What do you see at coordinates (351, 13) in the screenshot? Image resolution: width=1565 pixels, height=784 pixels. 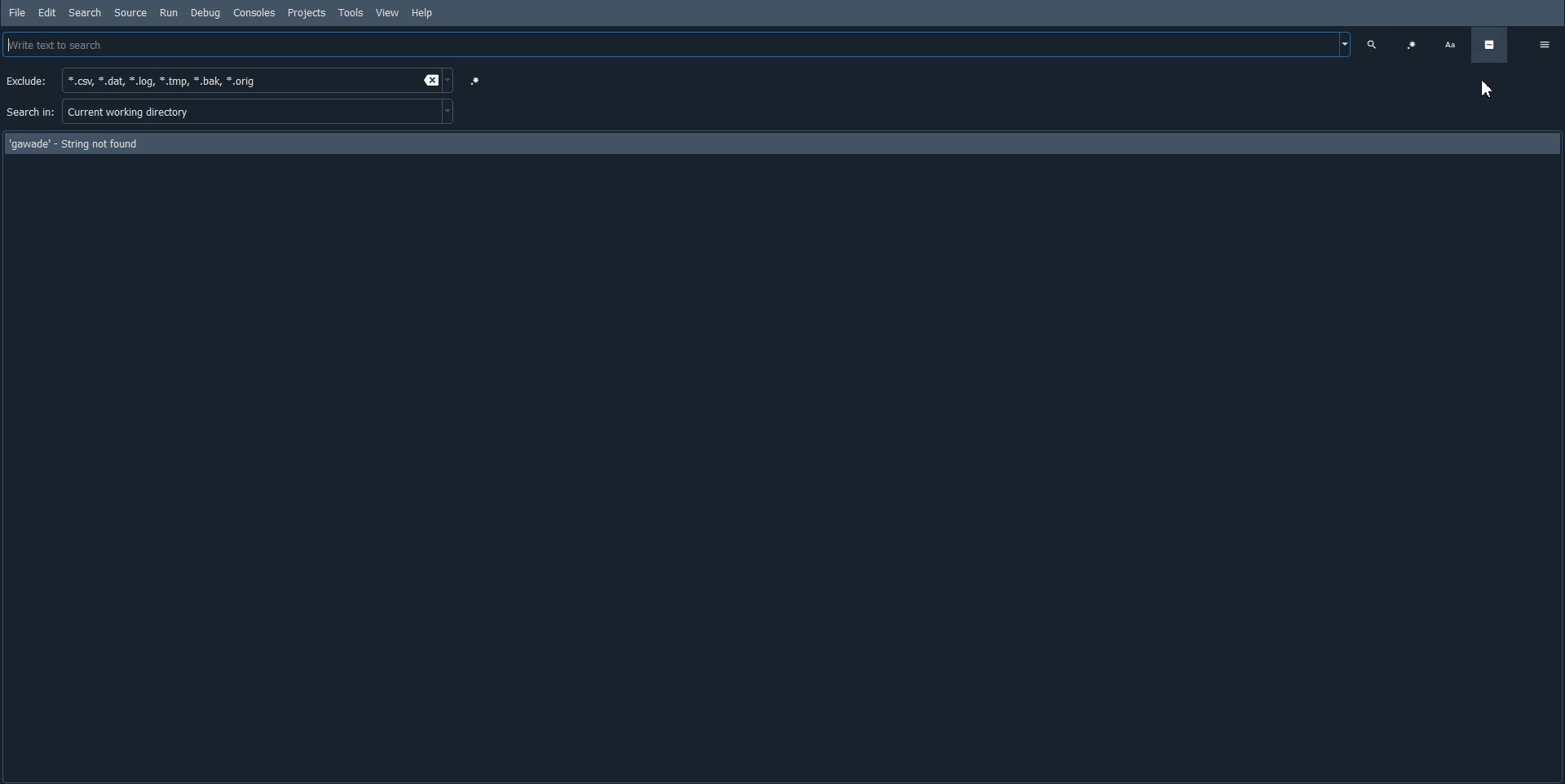 I see `Tools` at bounding box center [351, 13].